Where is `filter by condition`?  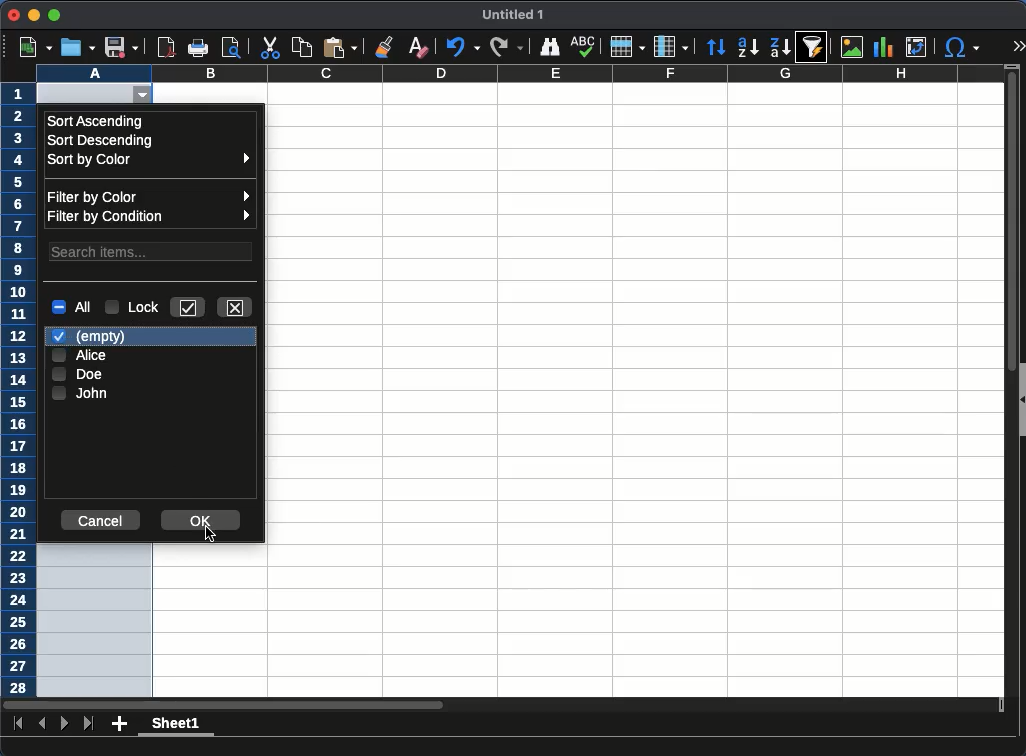
filter by condition is located at coordinates (151, 216).